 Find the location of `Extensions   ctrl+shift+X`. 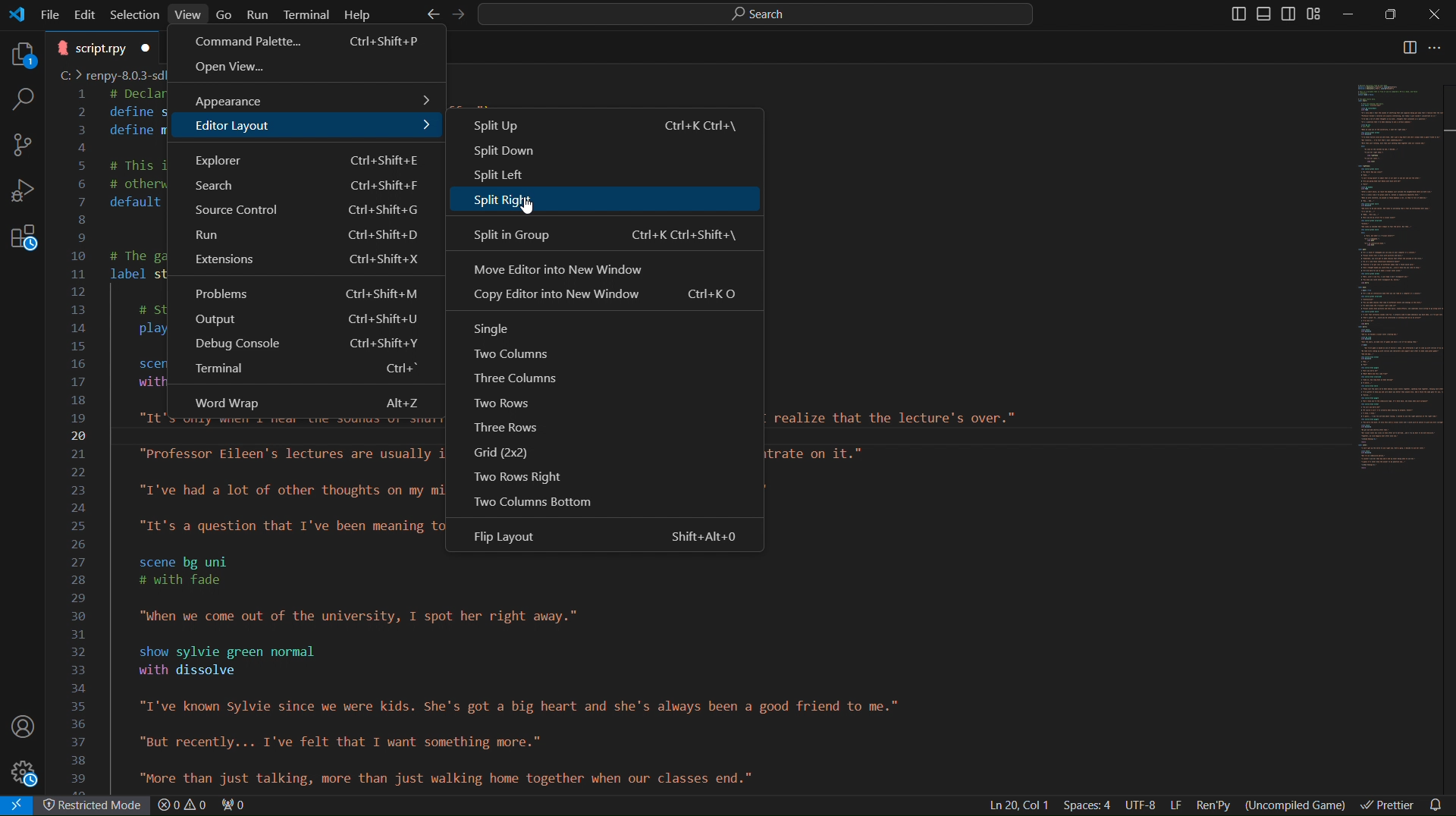

Extensions   ctrl+shift+X is located at coordinates (306, 263).